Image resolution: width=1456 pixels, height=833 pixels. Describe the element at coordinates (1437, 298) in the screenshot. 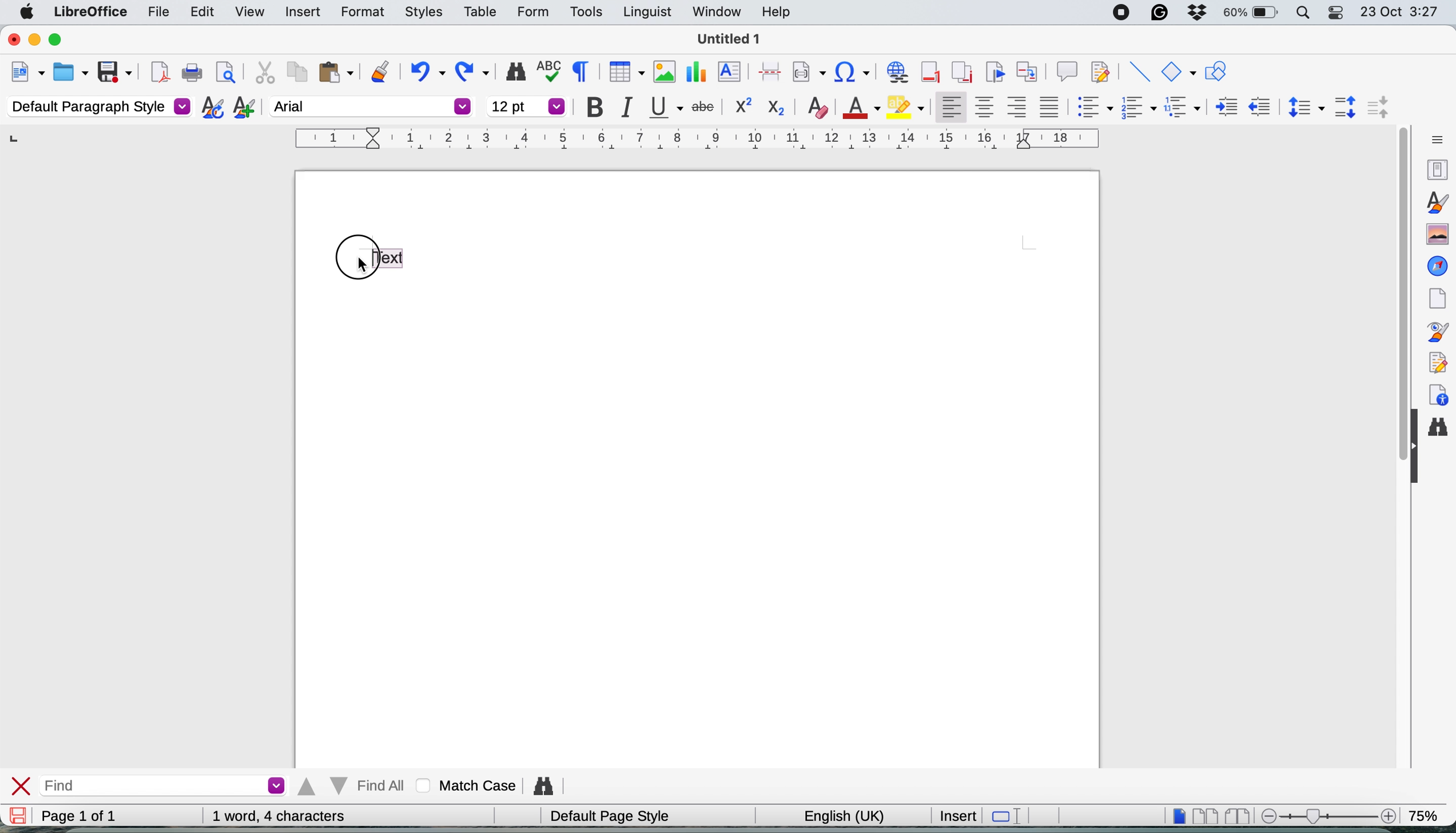

I see `page` at that location.